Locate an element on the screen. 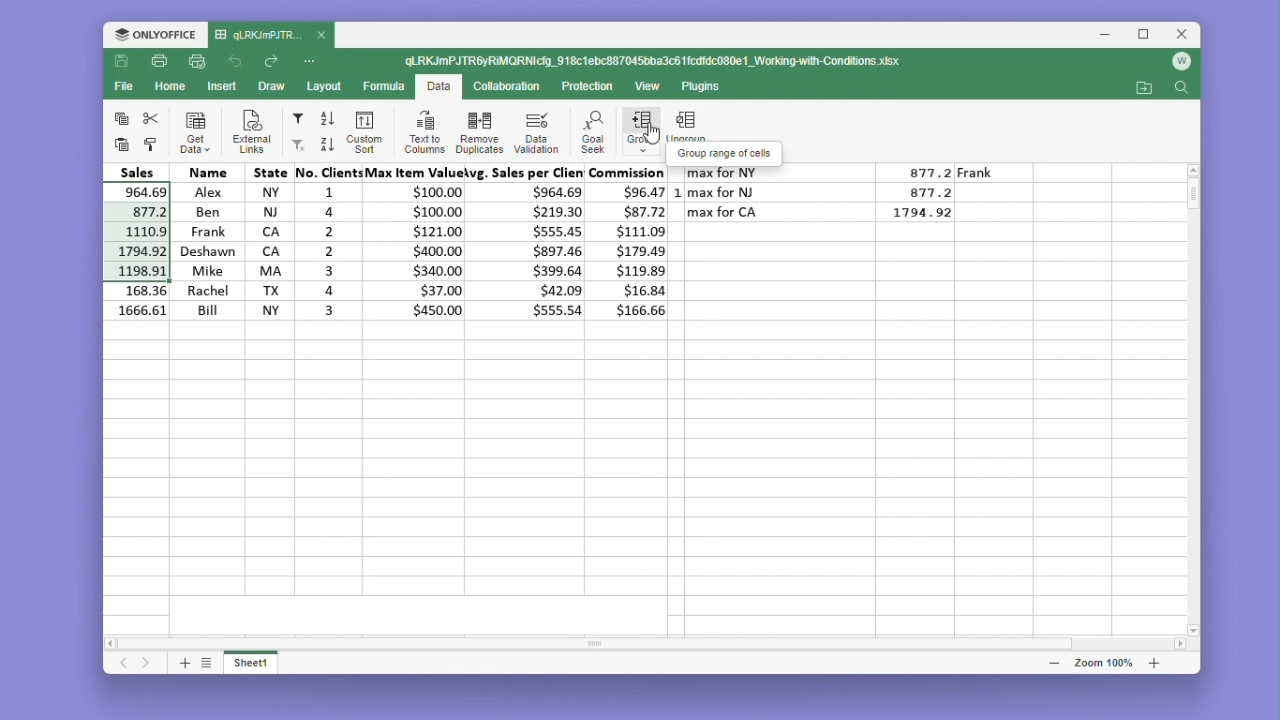 The height and width of the screenshot is (720, 1280). file name is located at coordinates (271, 36).